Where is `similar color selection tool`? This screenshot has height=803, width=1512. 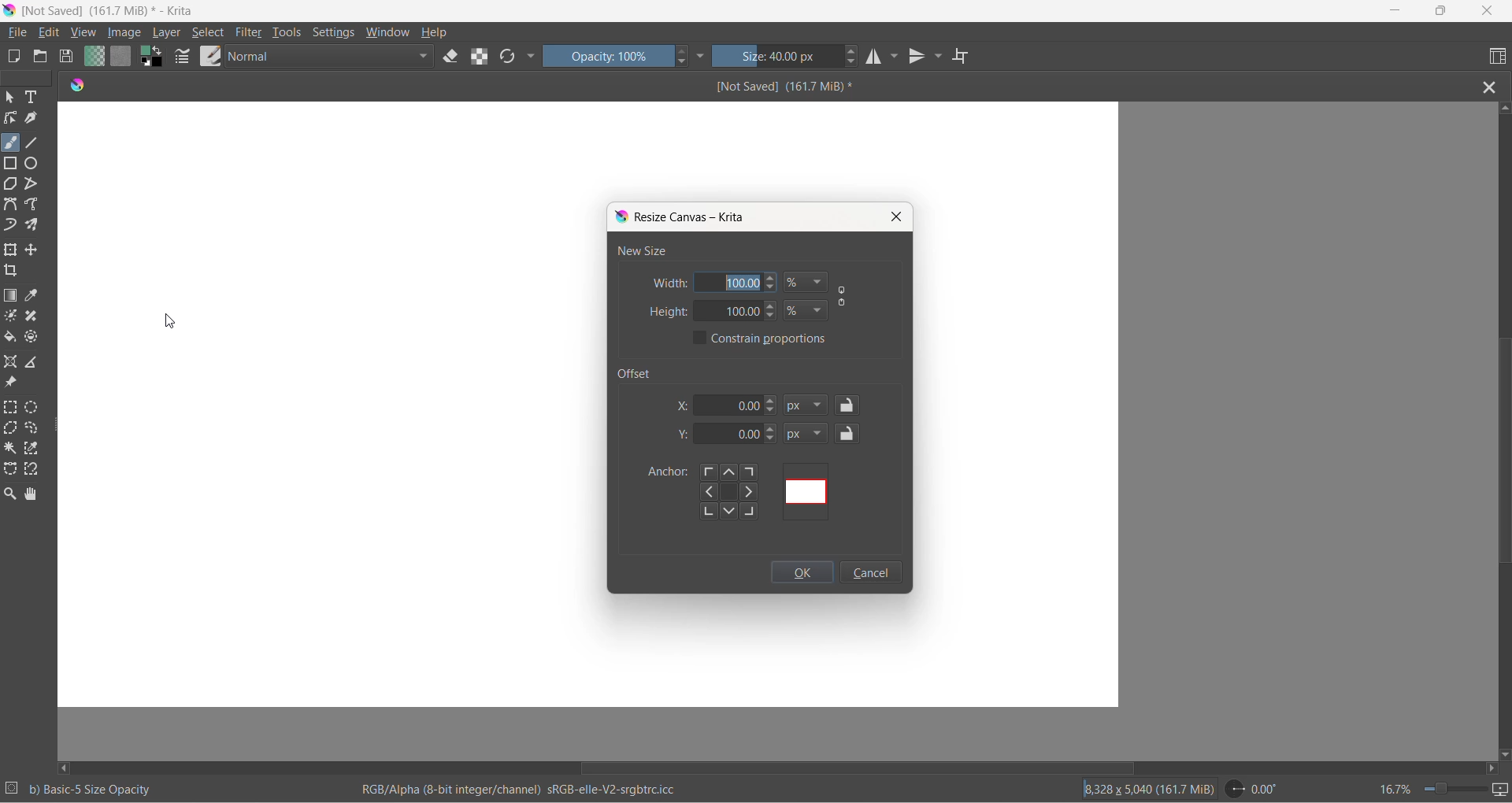
similar color selection tool is located at coordinates (34, 451).